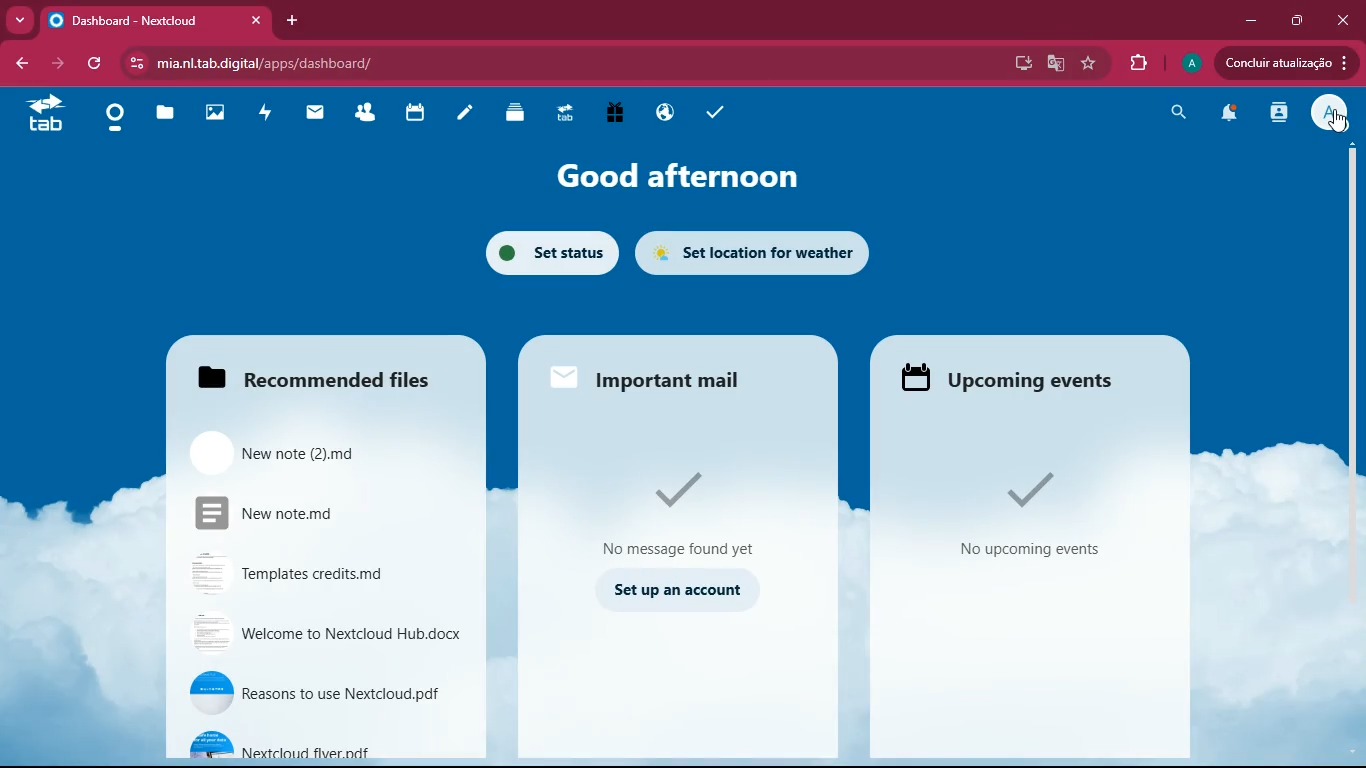 The image size is (1366, 768). Describe the element at coordinates (284, 741) in the screenshot. I see `Nextcloud flyer.pdf` at that location.